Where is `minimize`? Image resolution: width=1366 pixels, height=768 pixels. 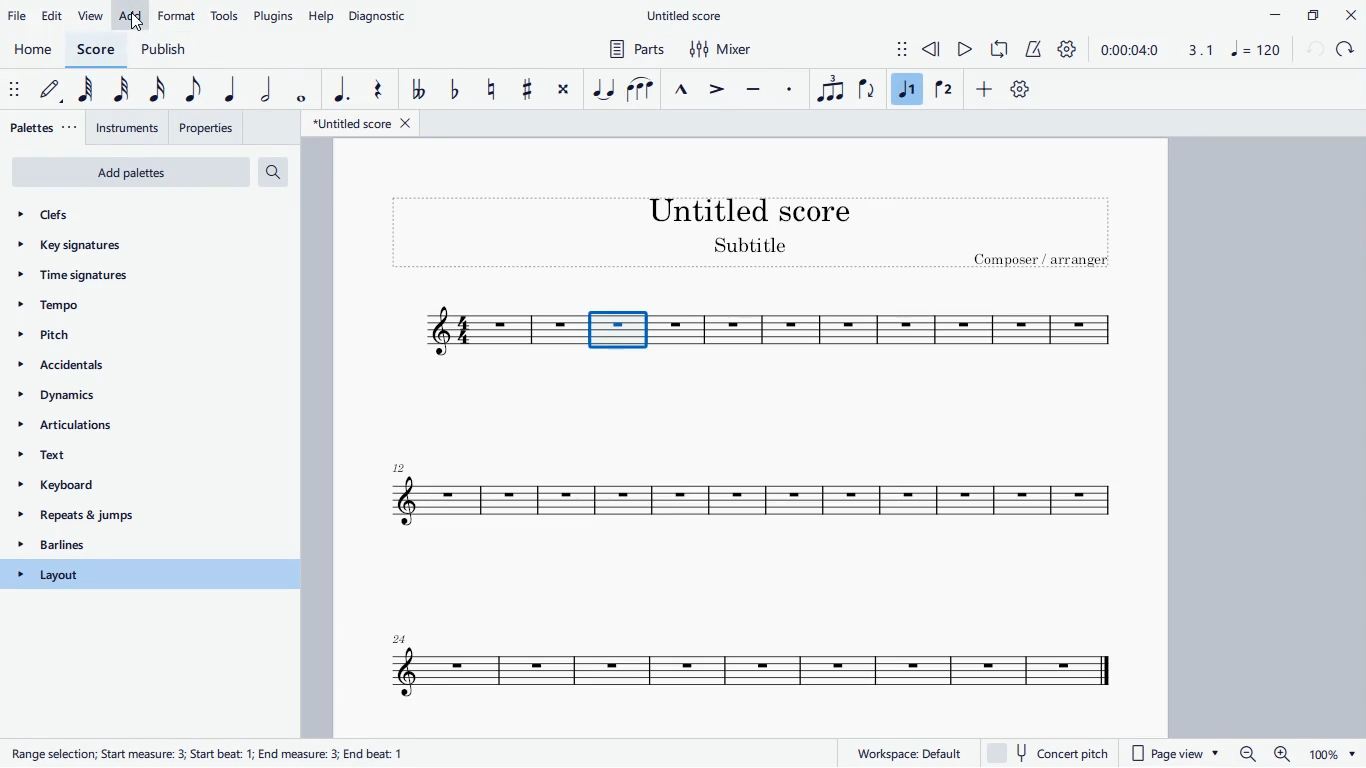 minimize is located at coordinates (1268, 14).